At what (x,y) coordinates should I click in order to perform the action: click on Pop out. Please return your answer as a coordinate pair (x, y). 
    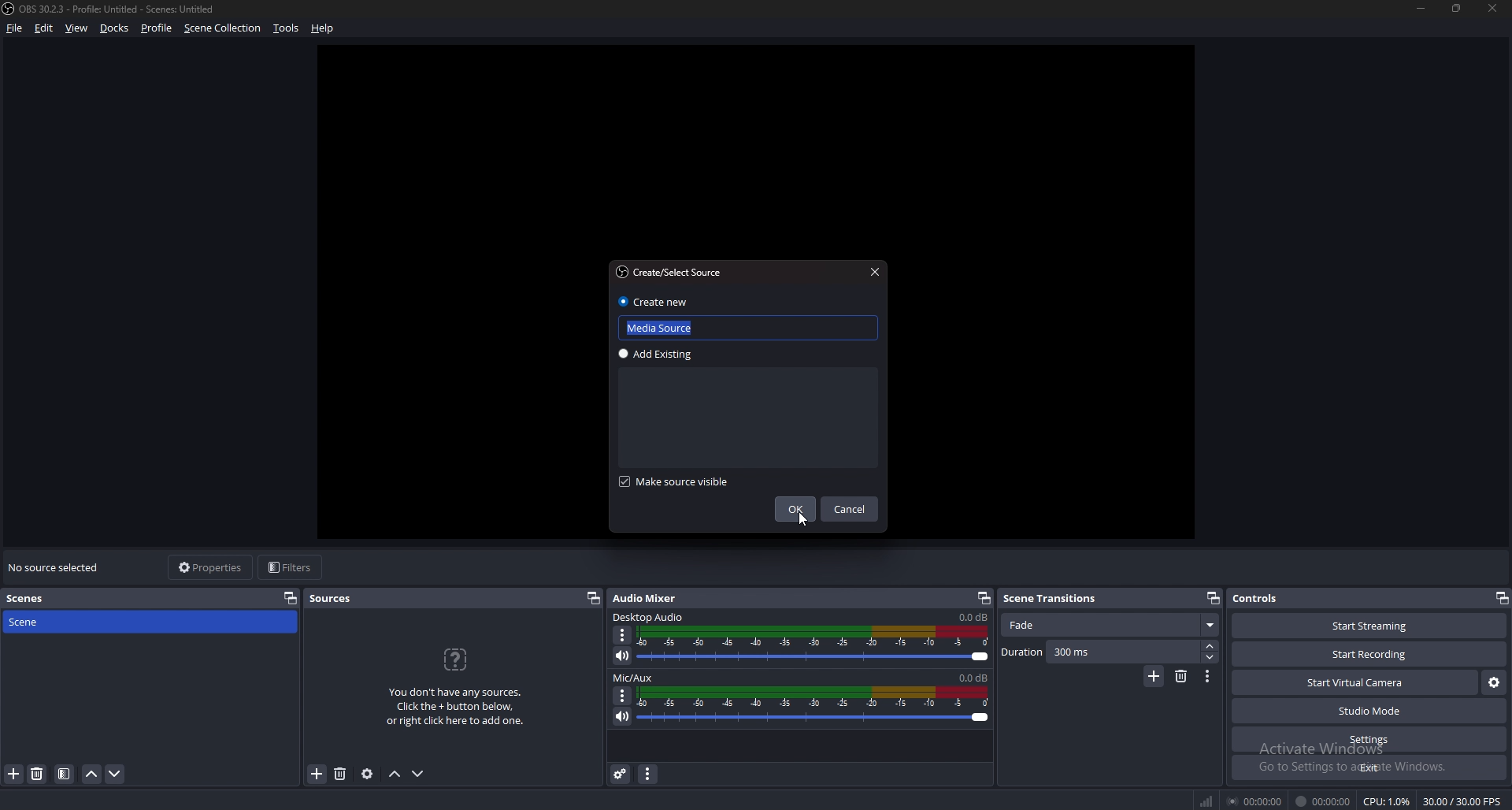
    Looking at the image, I should click on (1214, 599).